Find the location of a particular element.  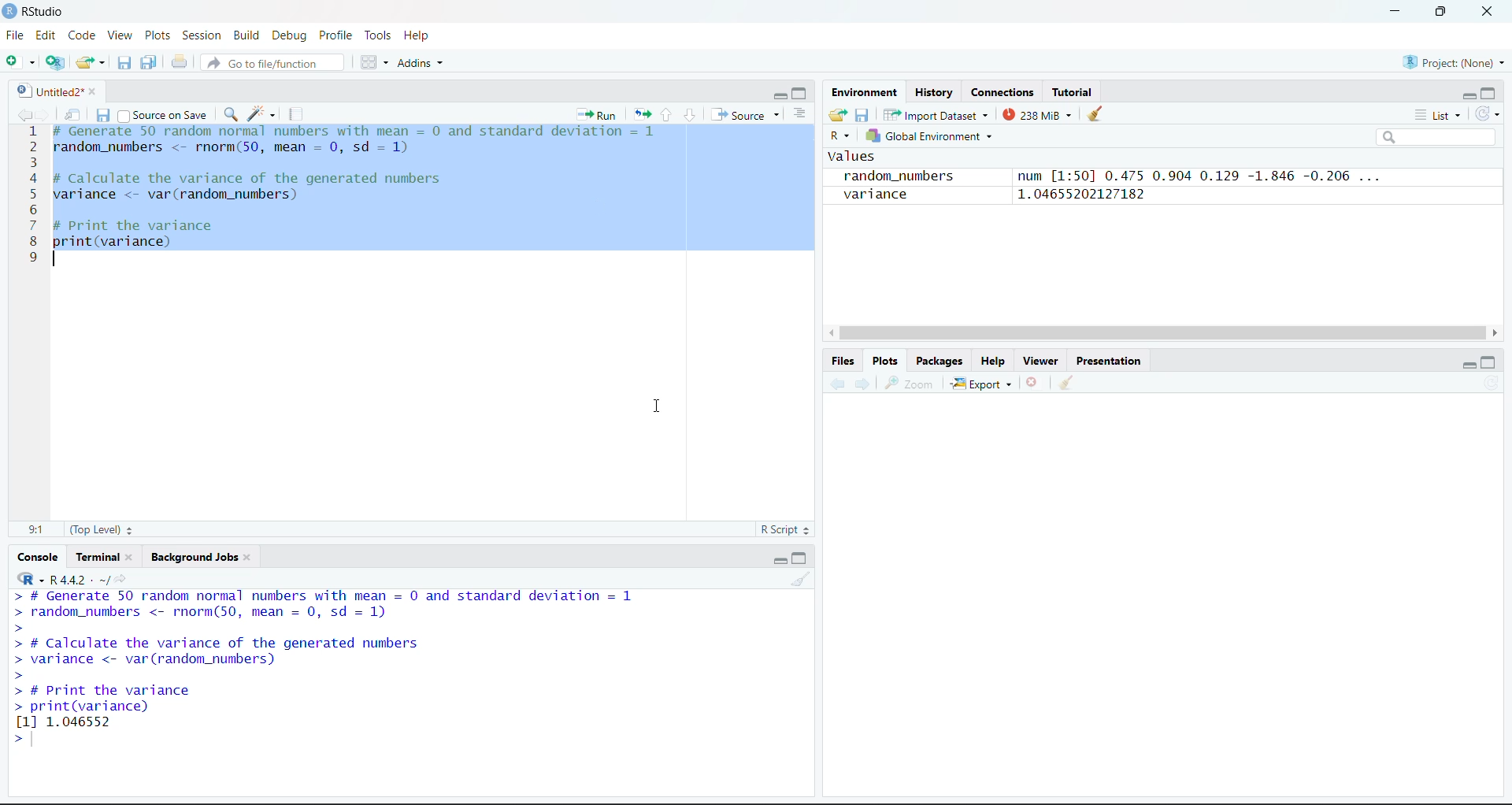

save is located at coordinates (863, 116).